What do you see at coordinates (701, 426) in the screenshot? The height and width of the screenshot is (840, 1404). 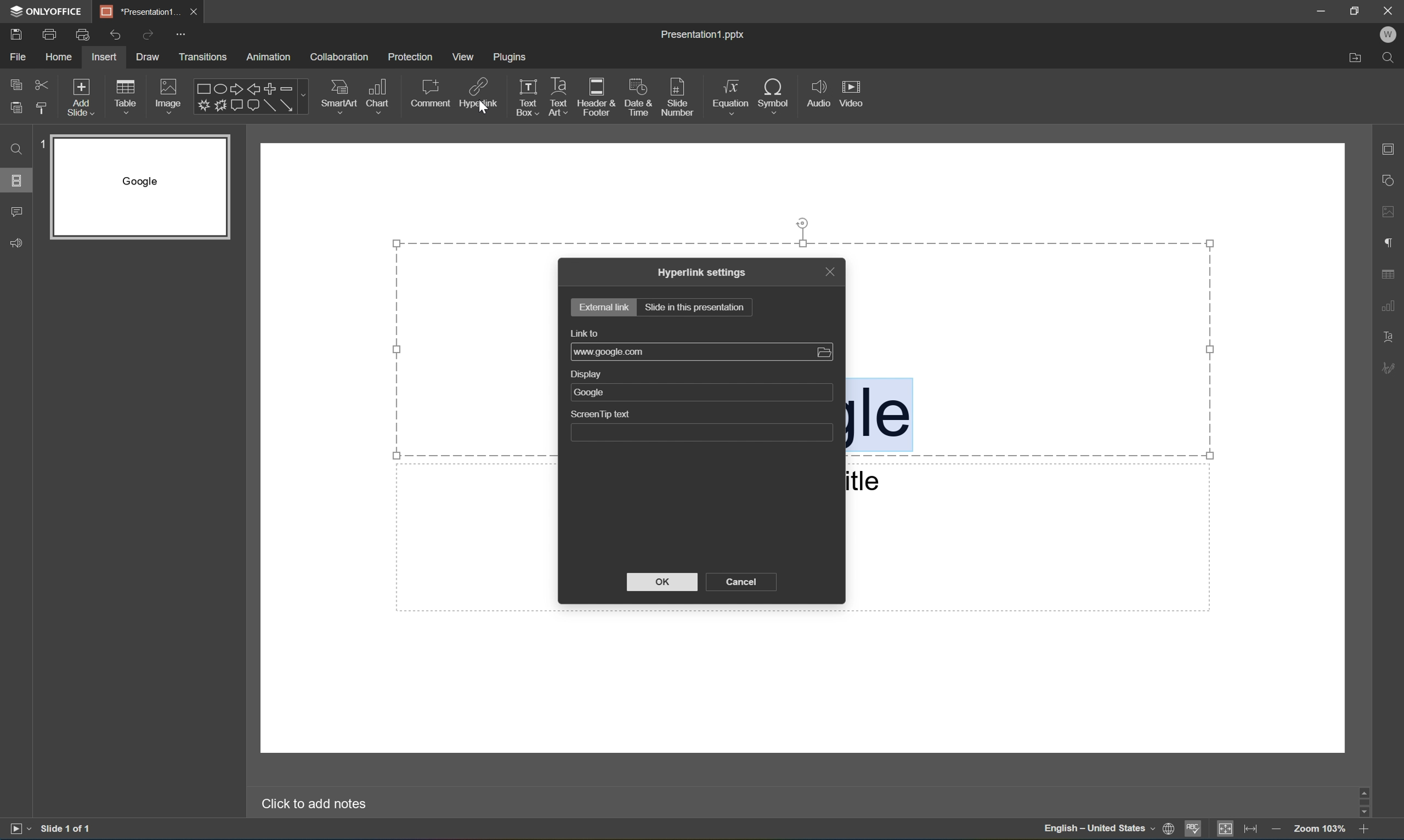 I see `Screen tip text` at bounding box center [701, 426].